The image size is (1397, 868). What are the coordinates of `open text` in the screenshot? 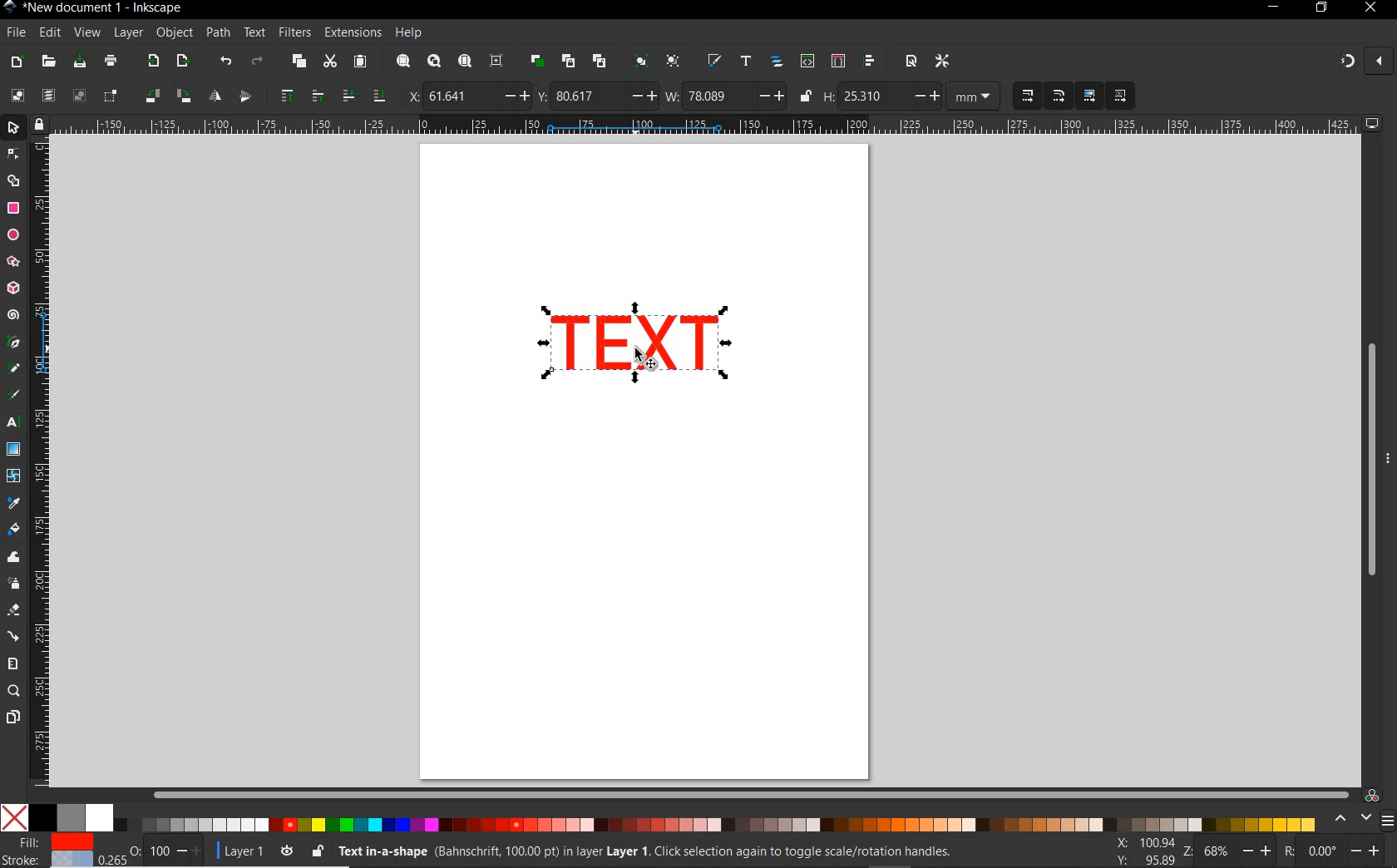 It's located at (746, 62).